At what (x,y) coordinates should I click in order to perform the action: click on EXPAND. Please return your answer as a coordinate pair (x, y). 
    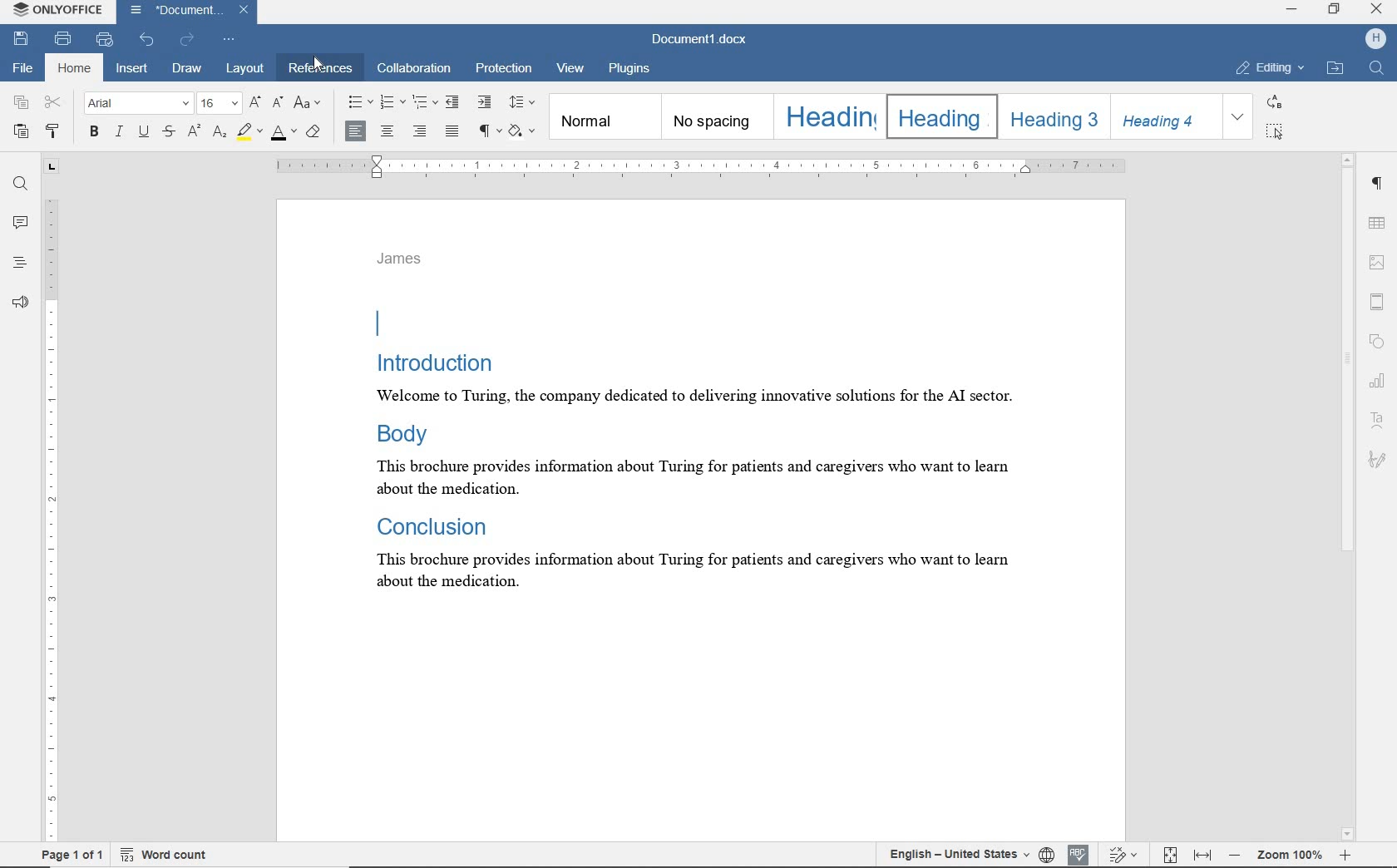
    Looking at the image, I should click on (1237, 116).